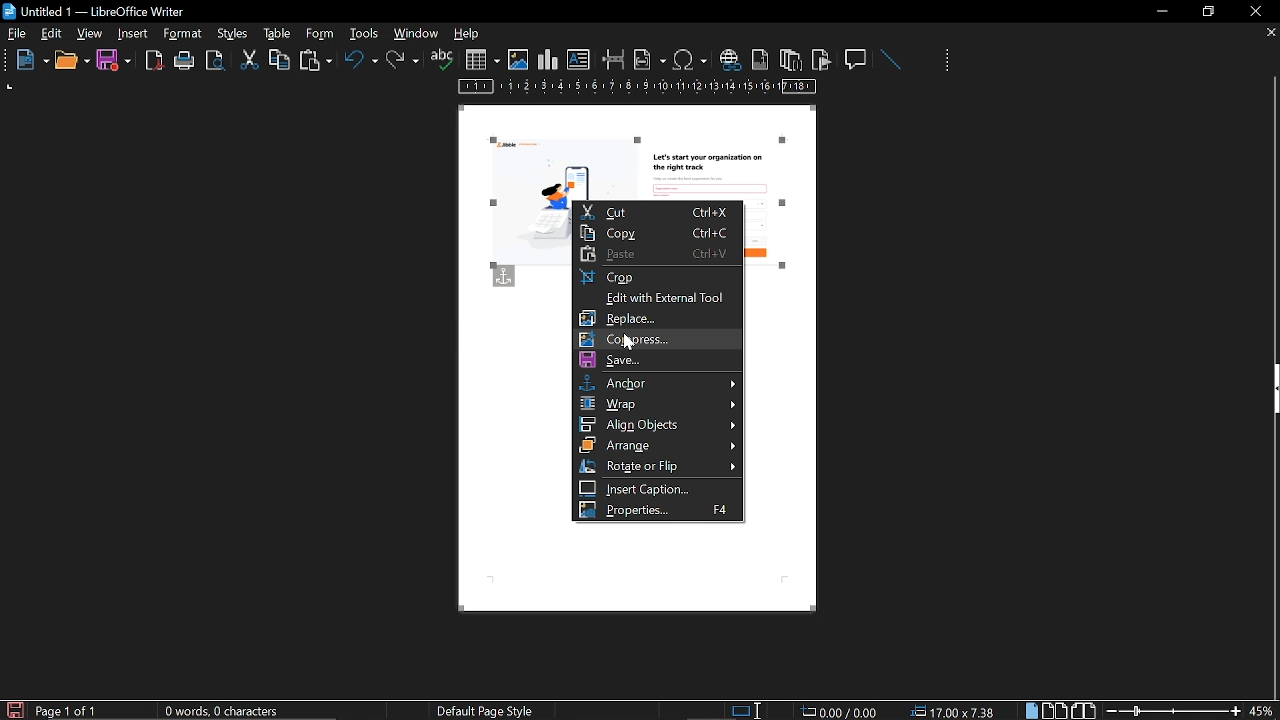 The height and width of the screenshot is (720, 1280). What do you see at coordinates (822, 60) in the screenshot?
I see `insert bookmark` at bounding box center [822, 60].